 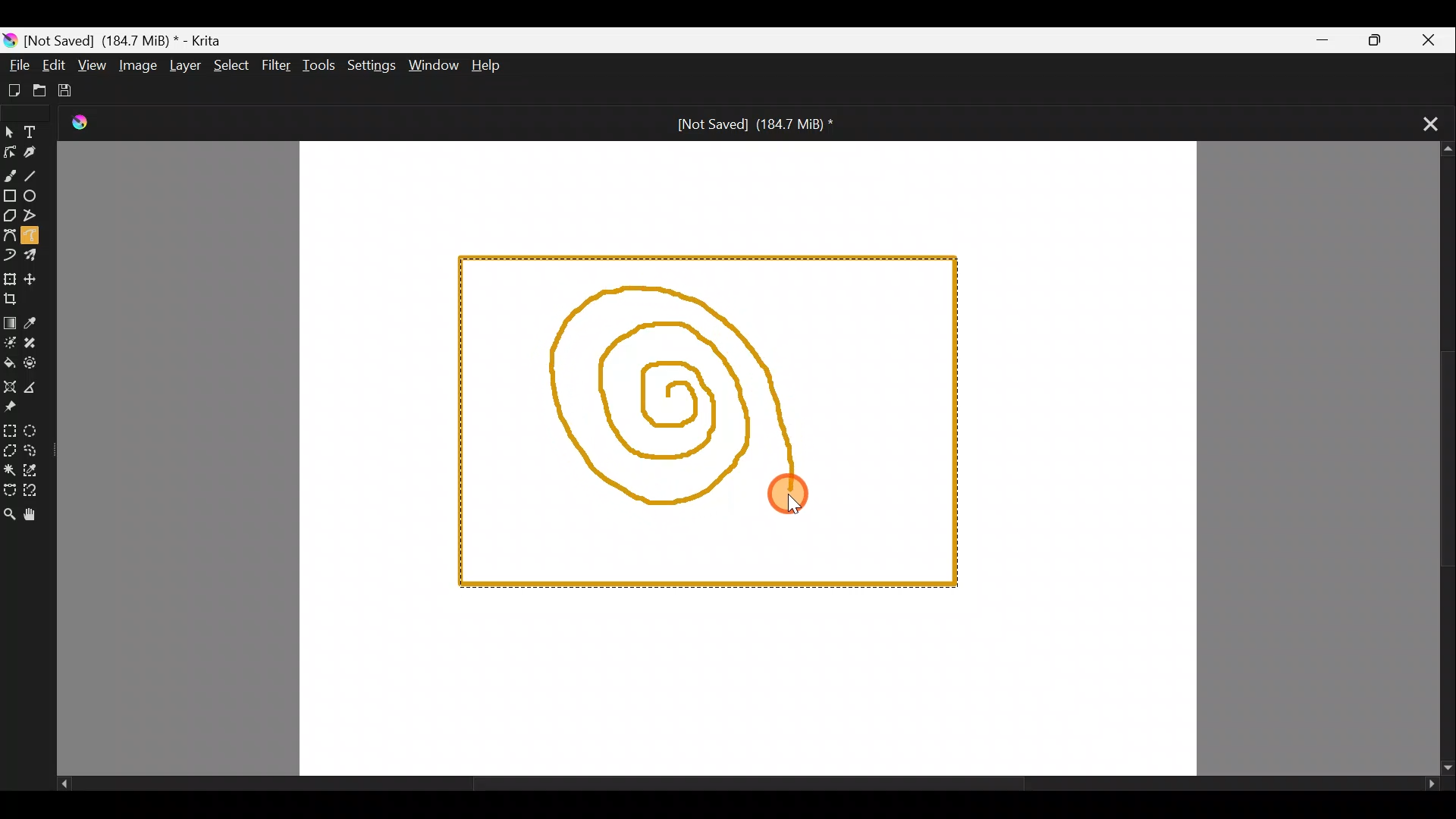 What do you see at coordinates (431, 67) in the screenshot?
I see `Window` at bounding box center [431, 67].